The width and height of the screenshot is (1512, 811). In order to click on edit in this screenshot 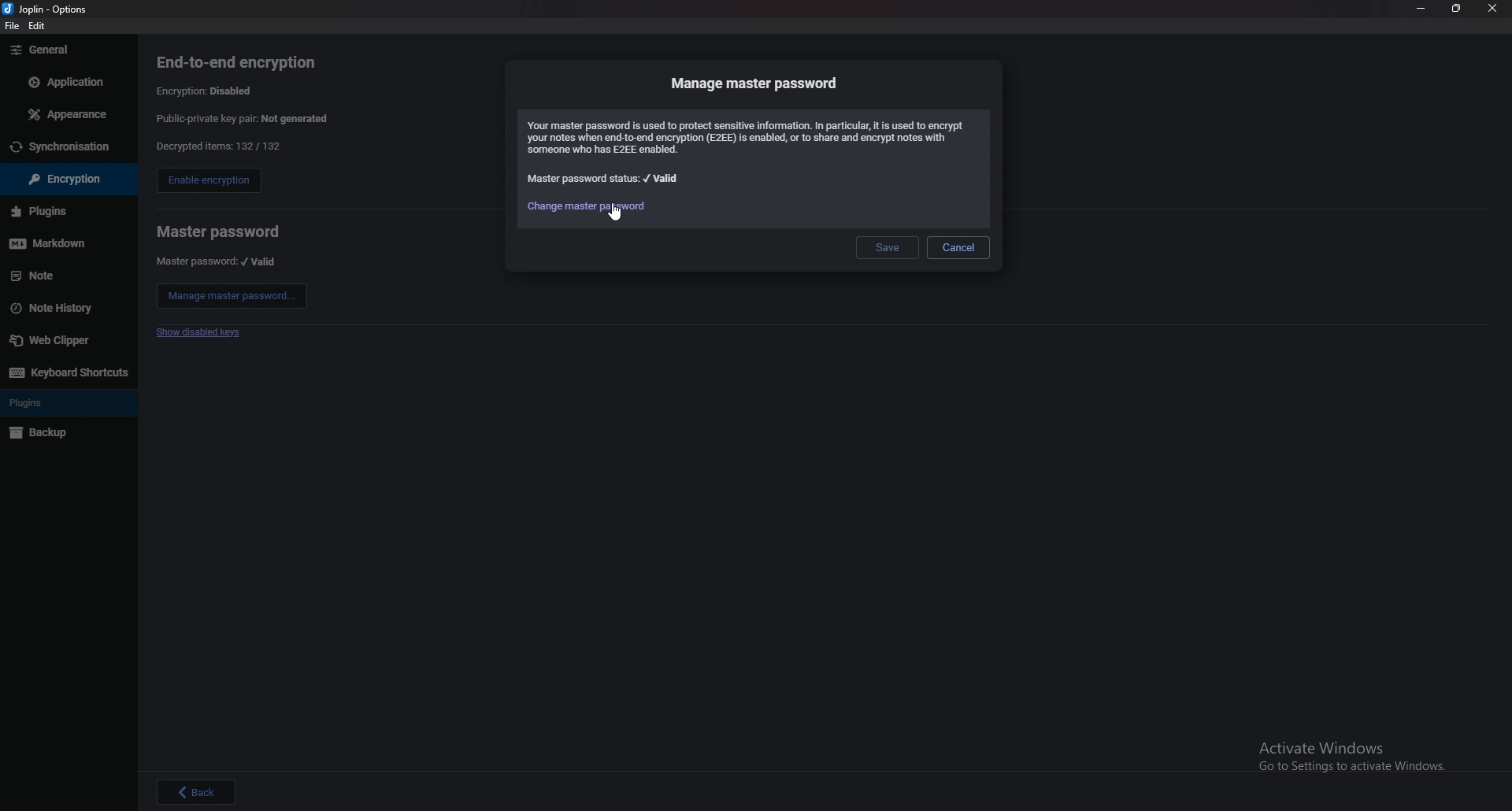, I will do `click(40, 25)`.